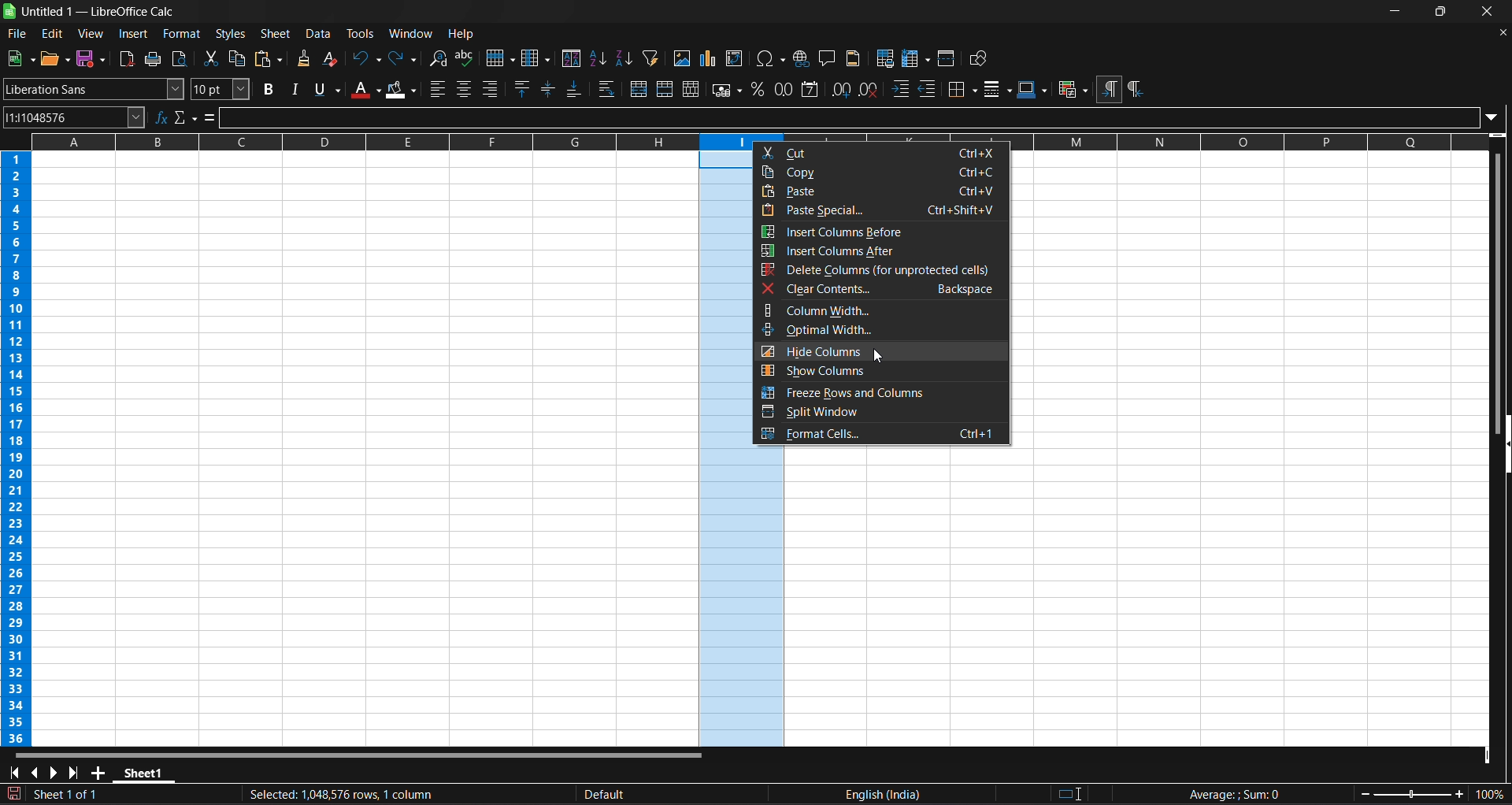 Image resolution: width=1512 pixels, height=805 pixels. Describe the element at coordinates (1109, 91) in the screenshot. I see `left to right` at that location.